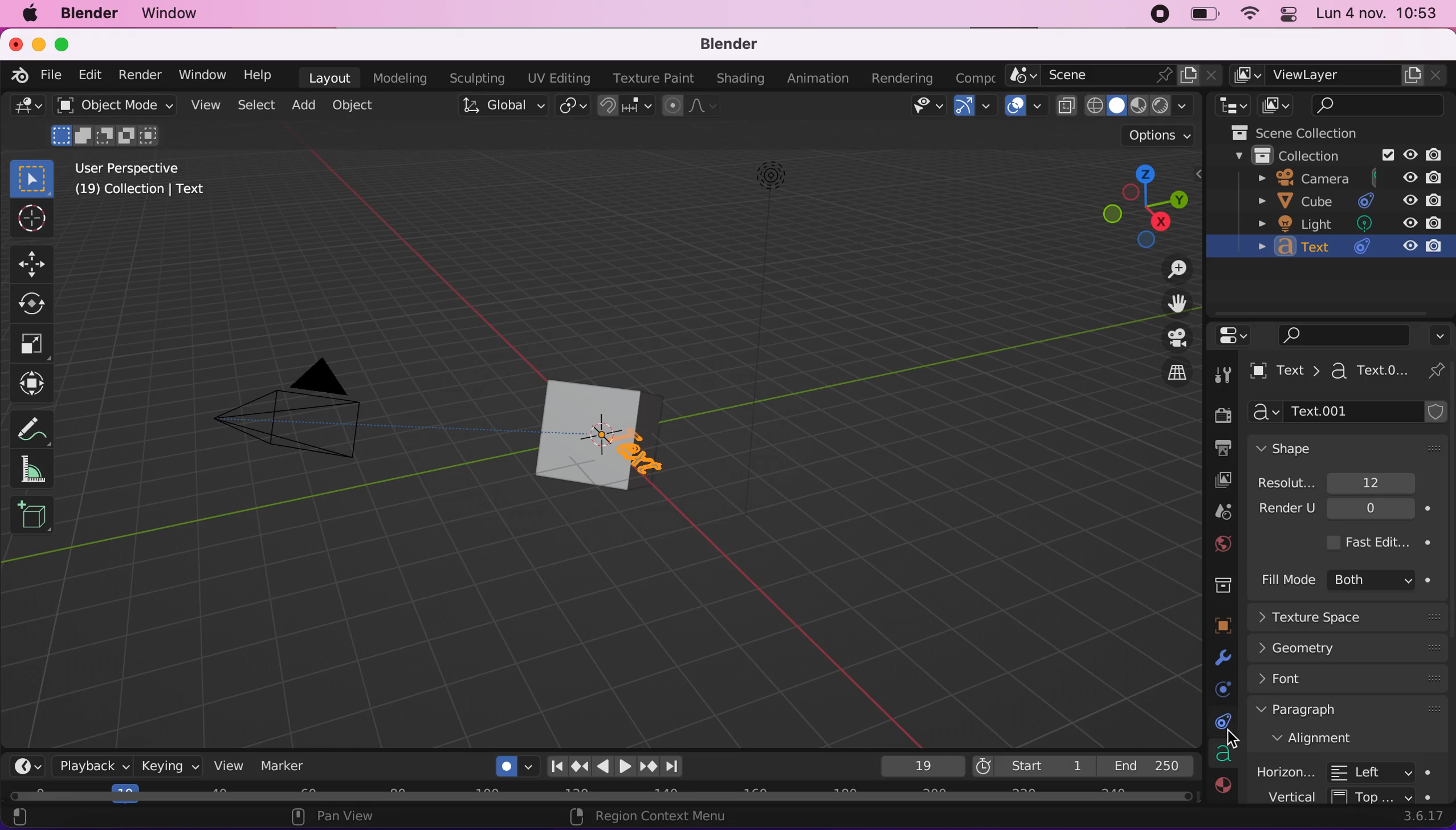  Describe the element at coordinates (638, 401) in the screenshot. I see `cube` at that location.